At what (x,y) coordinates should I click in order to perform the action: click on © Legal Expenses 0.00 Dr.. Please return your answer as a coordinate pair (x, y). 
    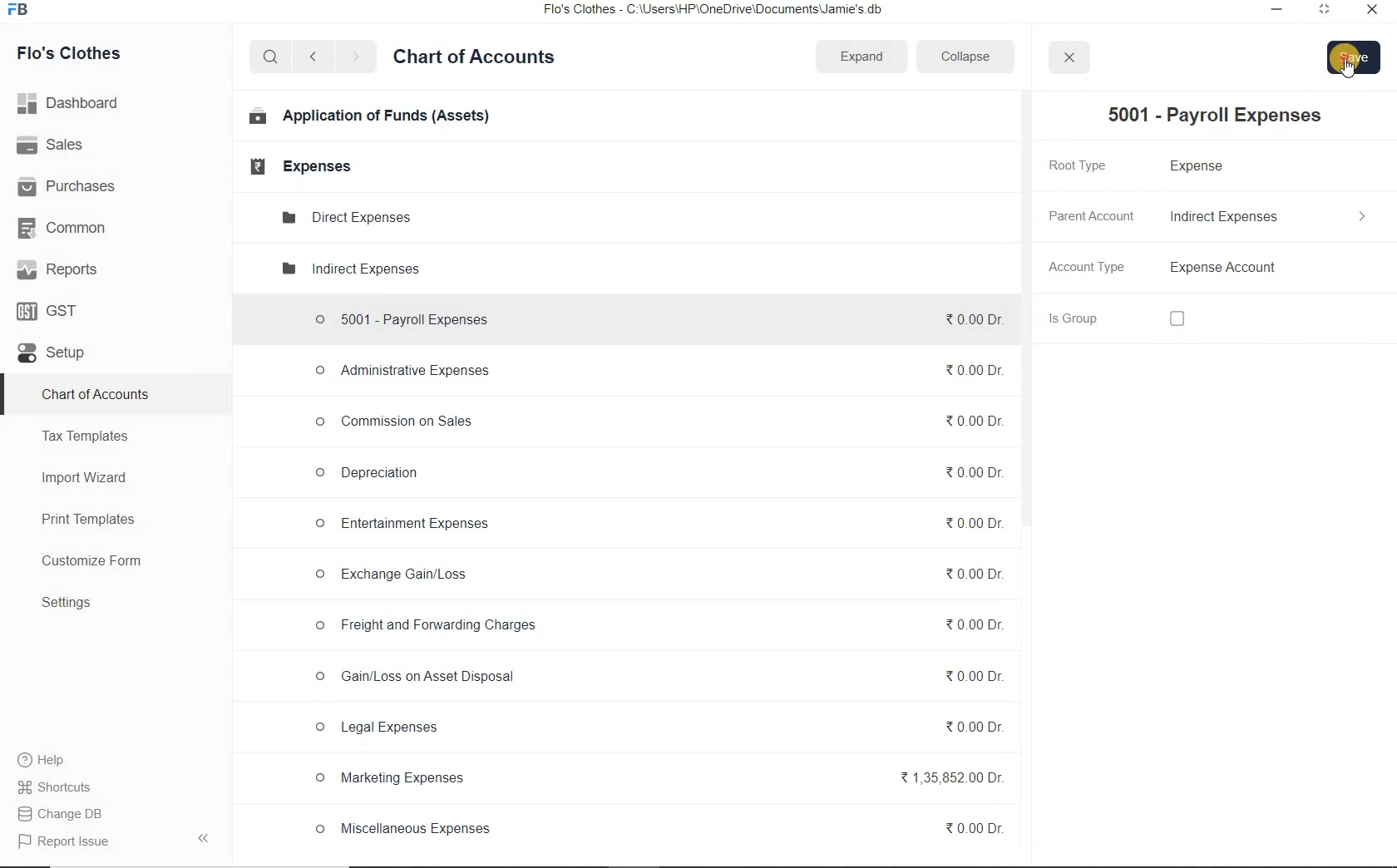
    Looking at the image, I should click on (656, 728).